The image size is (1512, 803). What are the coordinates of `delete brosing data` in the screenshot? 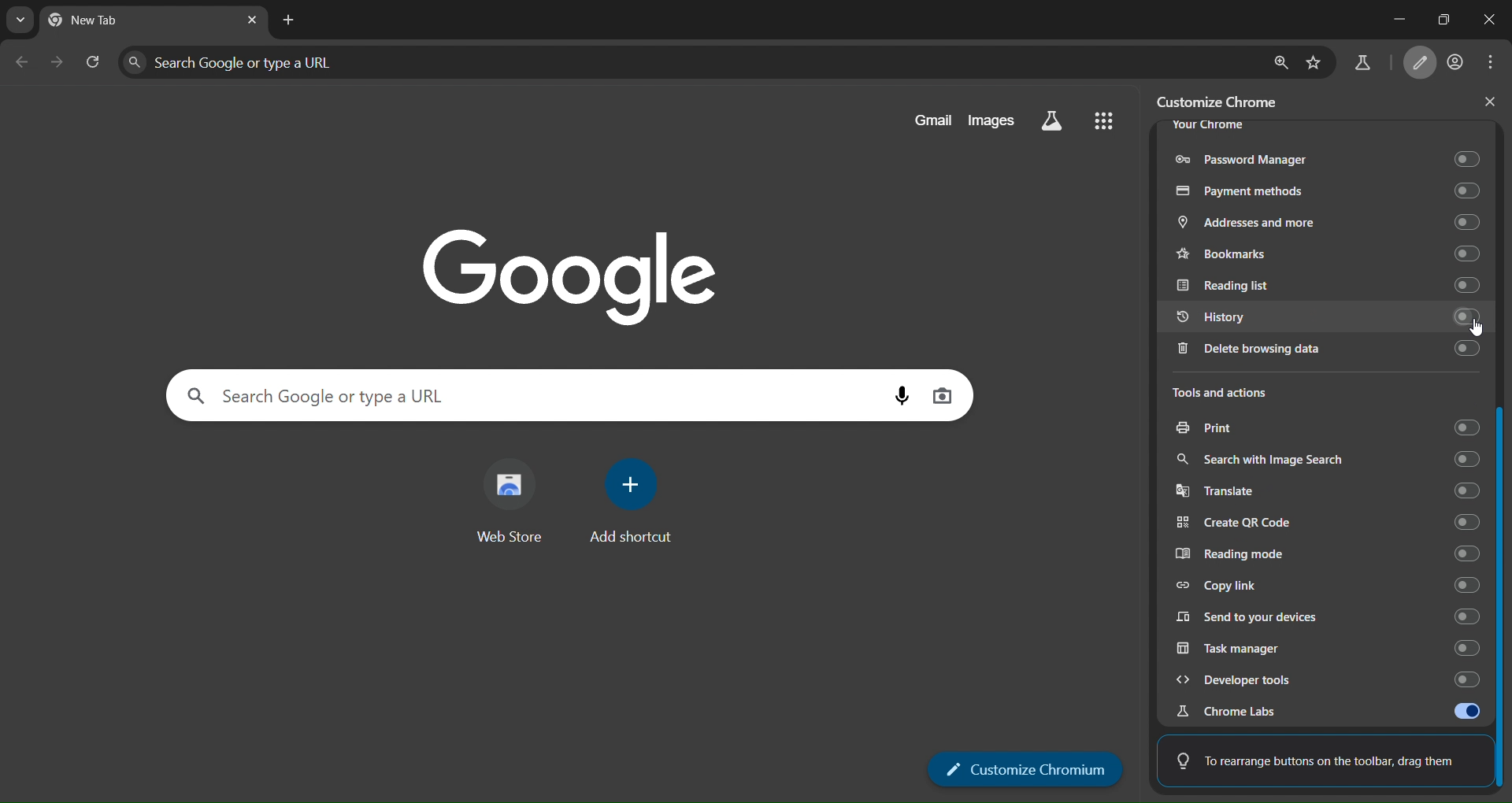 It's located at (1323, 352).